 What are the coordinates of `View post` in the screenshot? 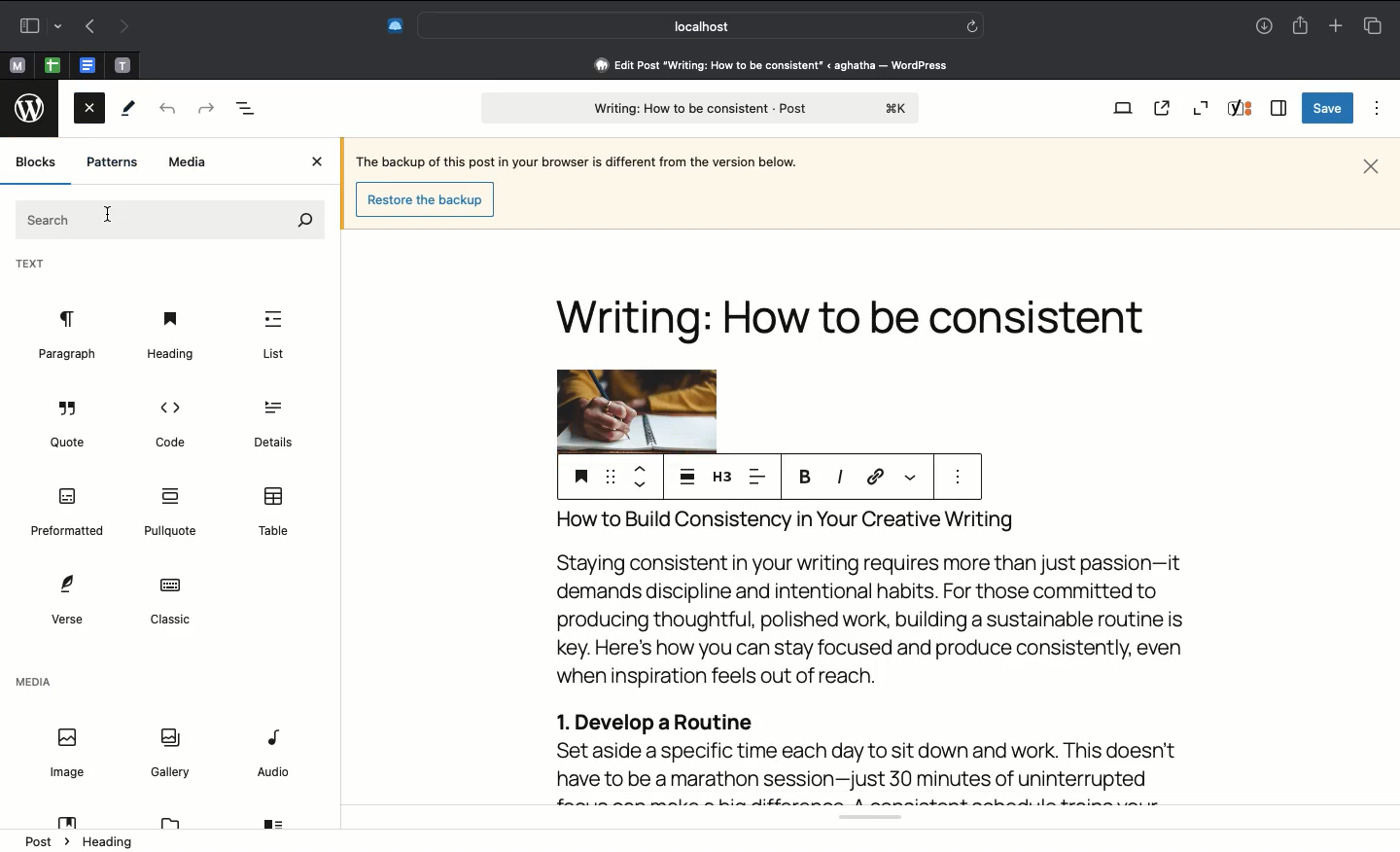 It's located at (1162, 108).